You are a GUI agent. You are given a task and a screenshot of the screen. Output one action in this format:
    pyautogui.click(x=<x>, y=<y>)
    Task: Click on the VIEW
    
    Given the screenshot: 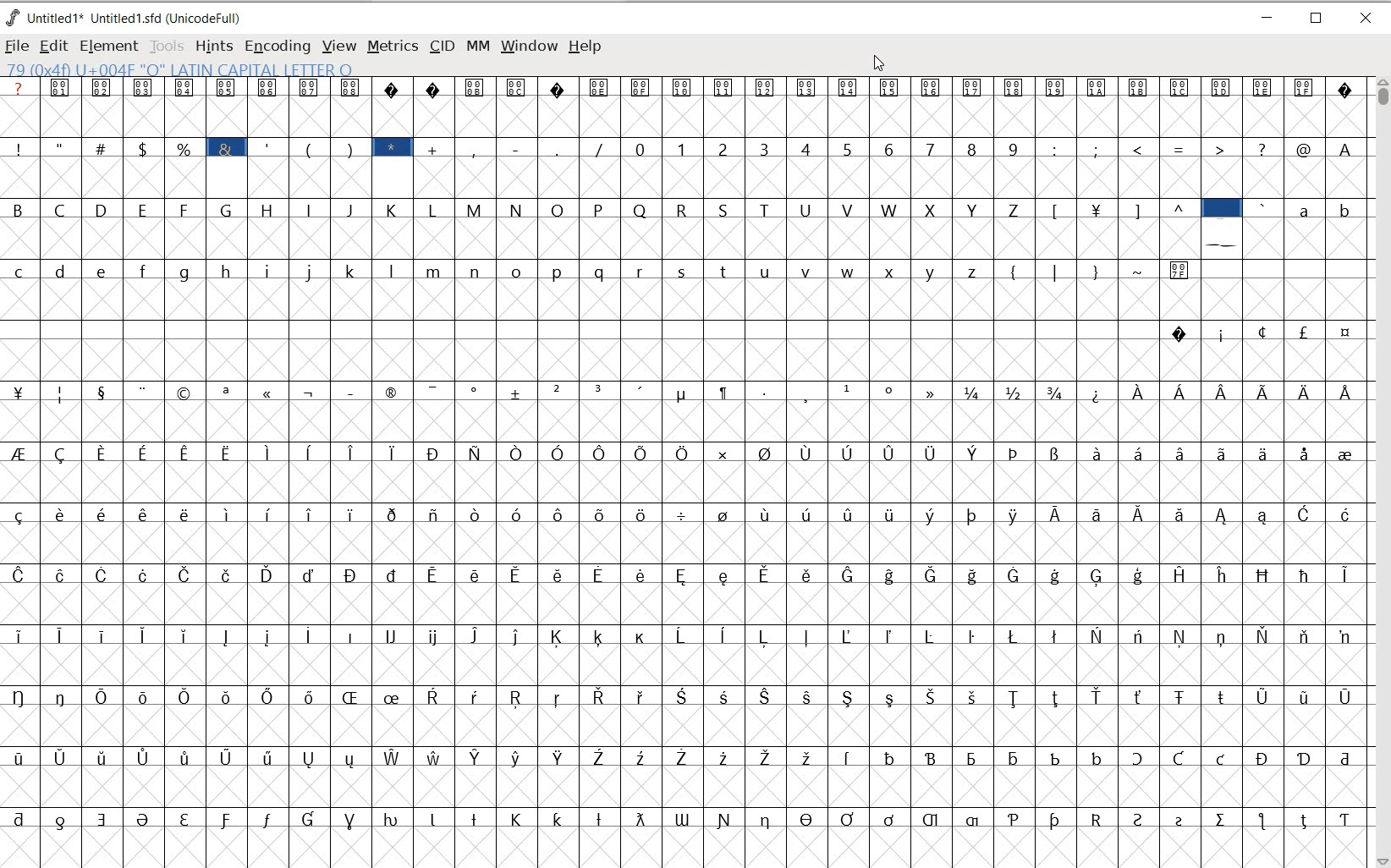 What is the action you would take?
    pyautogui.click(x=338, y=47)
    